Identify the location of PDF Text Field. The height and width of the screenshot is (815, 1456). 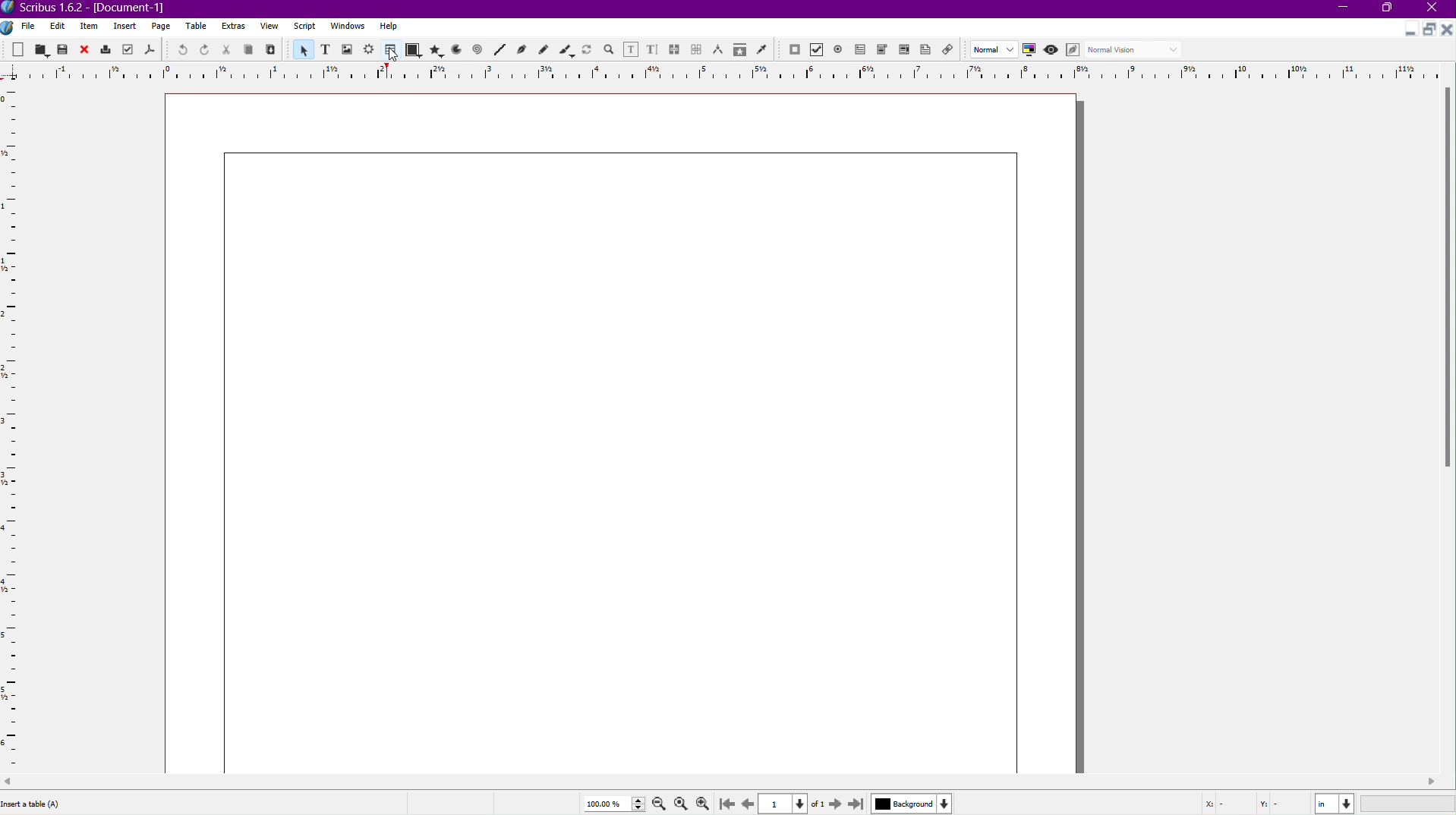
(863, 52).